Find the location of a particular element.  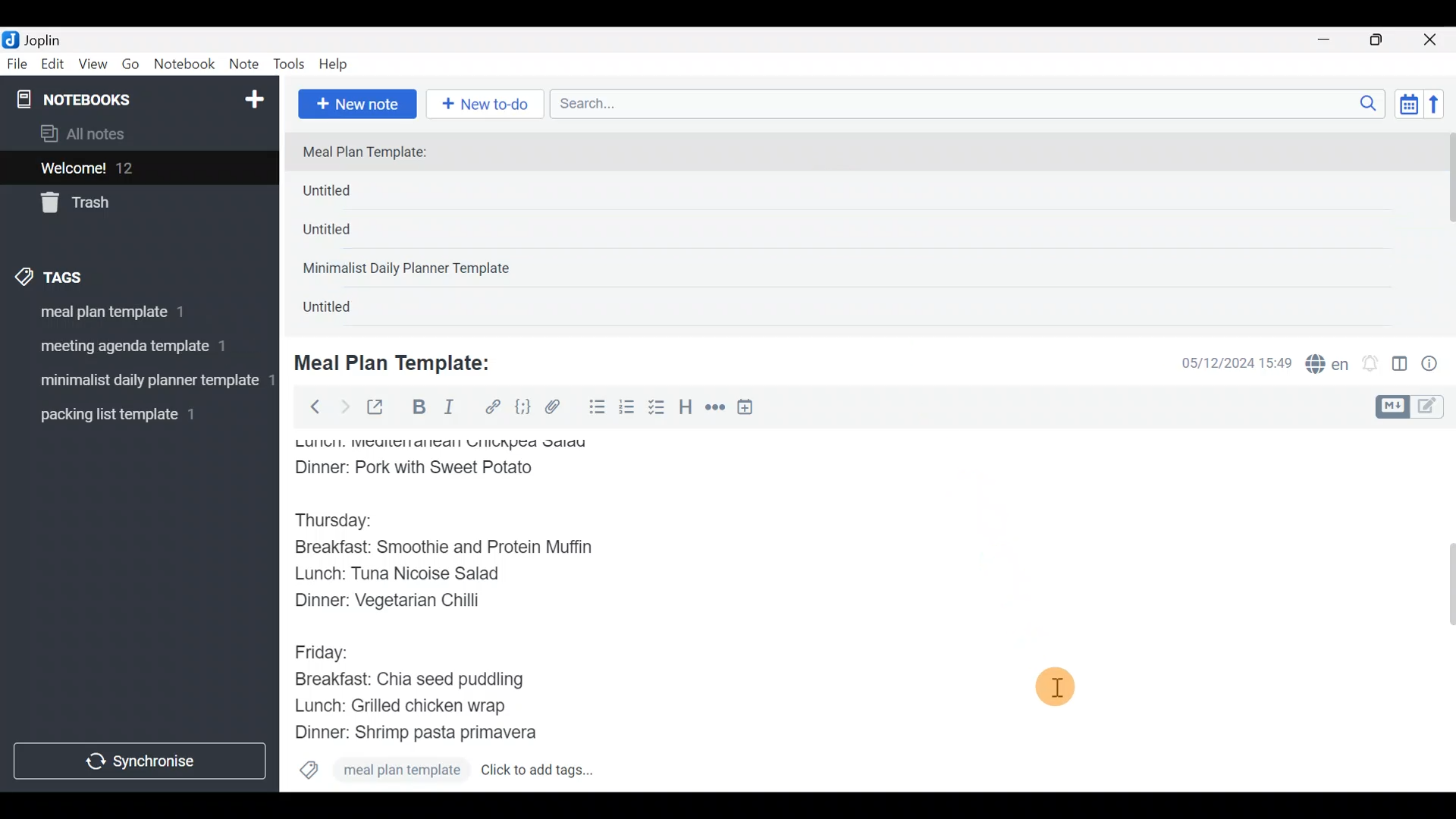

Maximize is located at coordinates (1385, 40).